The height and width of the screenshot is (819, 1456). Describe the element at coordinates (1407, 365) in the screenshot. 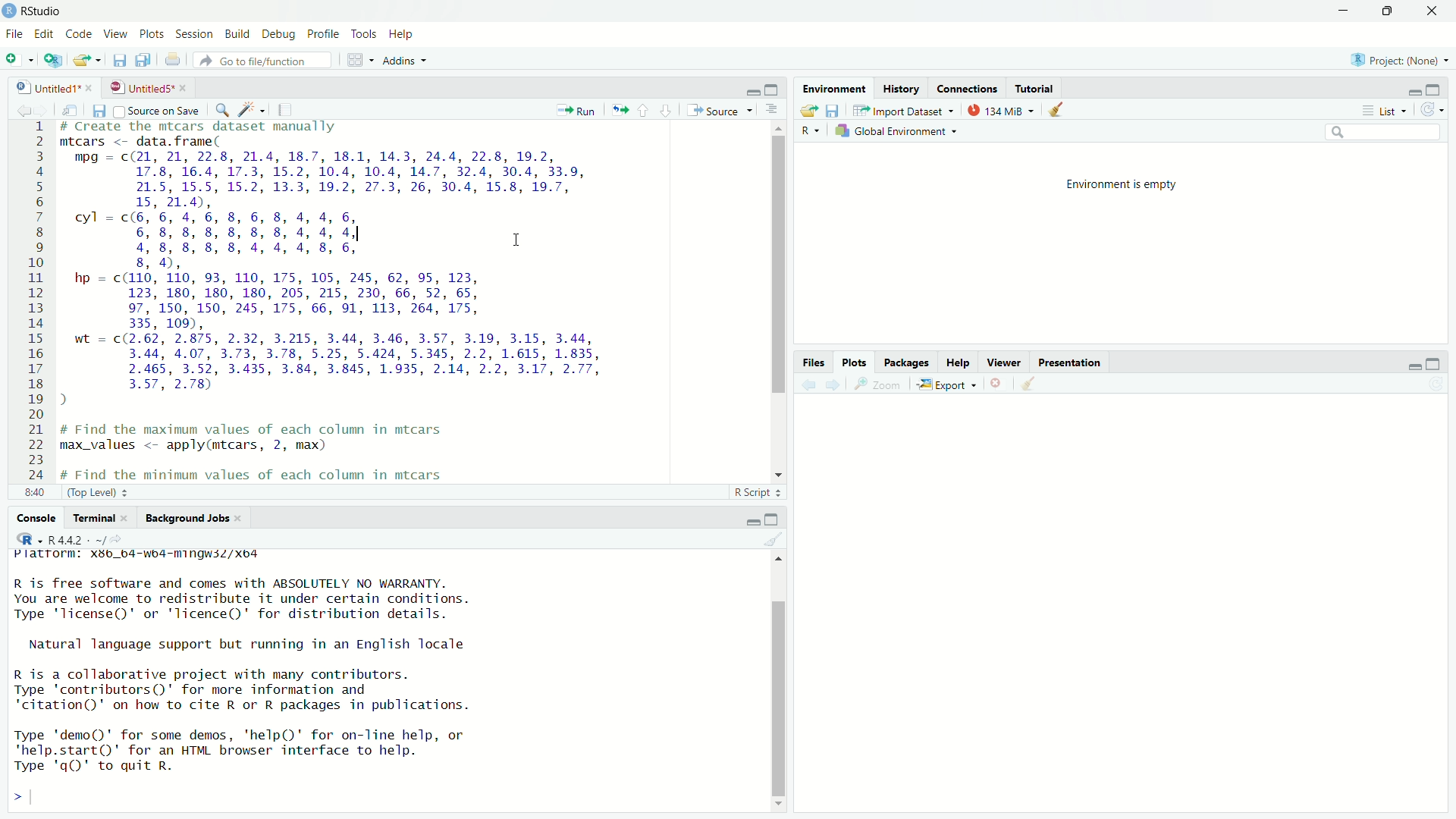

I see `minimise` at that location.